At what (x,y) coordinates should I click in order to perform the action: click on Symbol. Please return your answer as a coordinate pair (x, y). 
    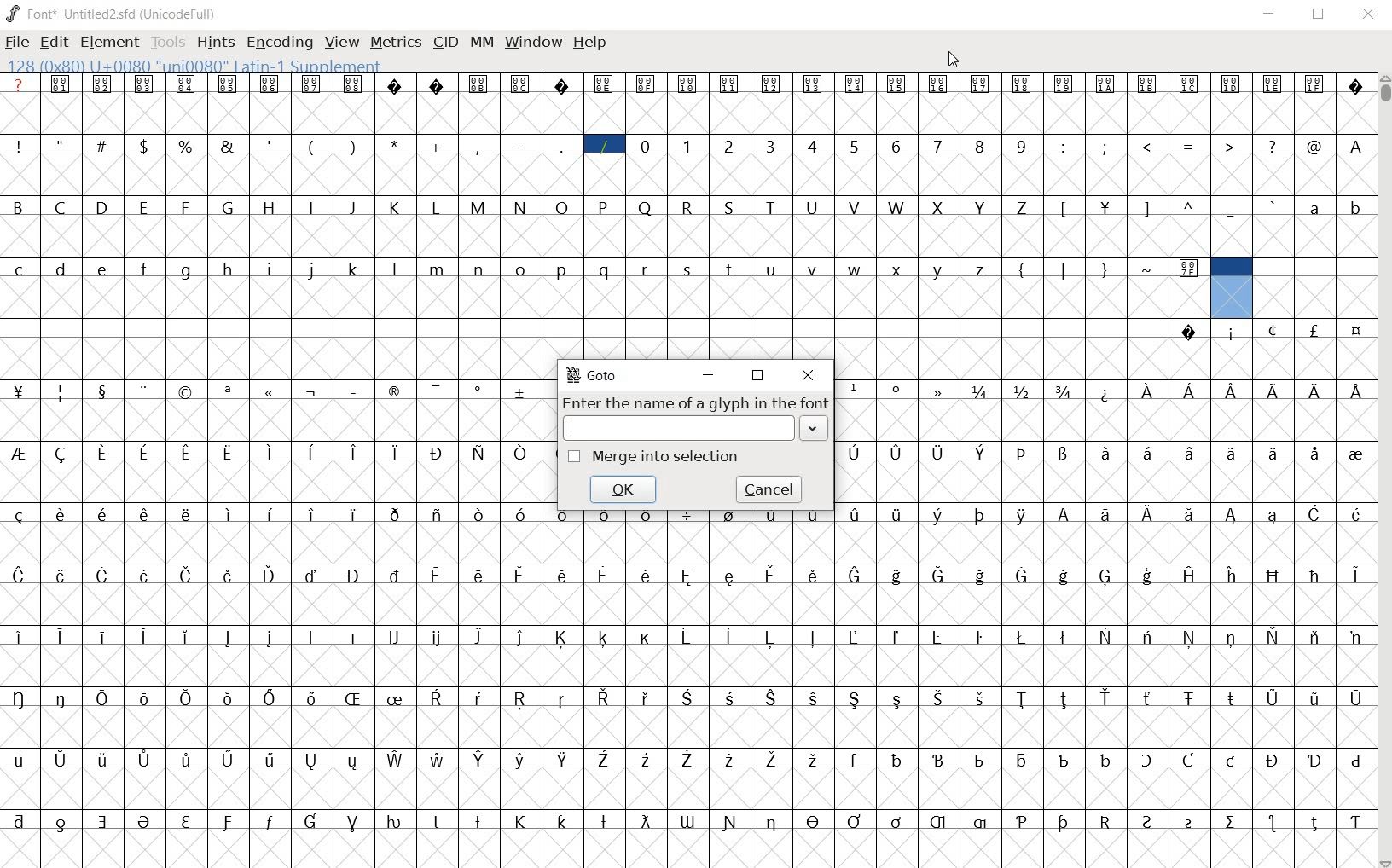
    Looking at the image, I should click on (607, 575).